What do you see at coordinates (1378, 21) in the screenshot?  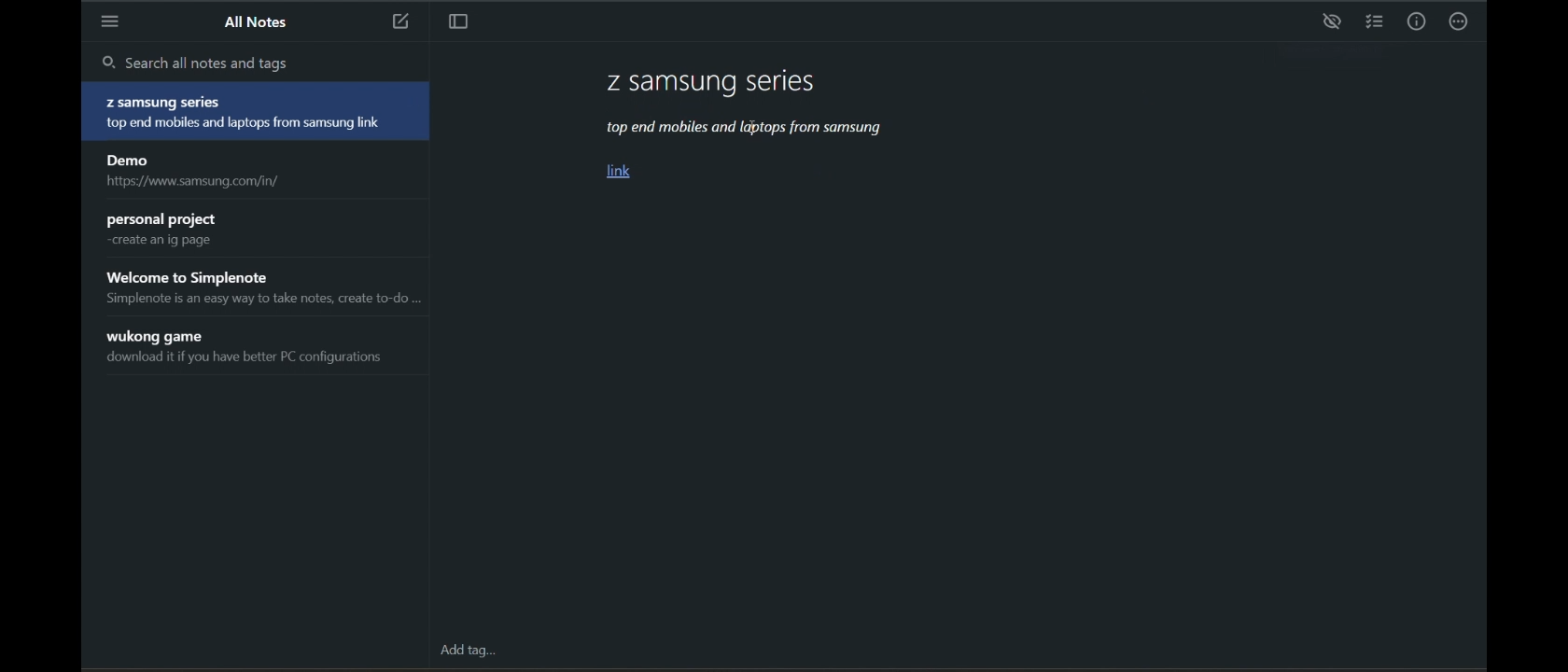 I see `insert checklist` at bounding box center [1378, 21].